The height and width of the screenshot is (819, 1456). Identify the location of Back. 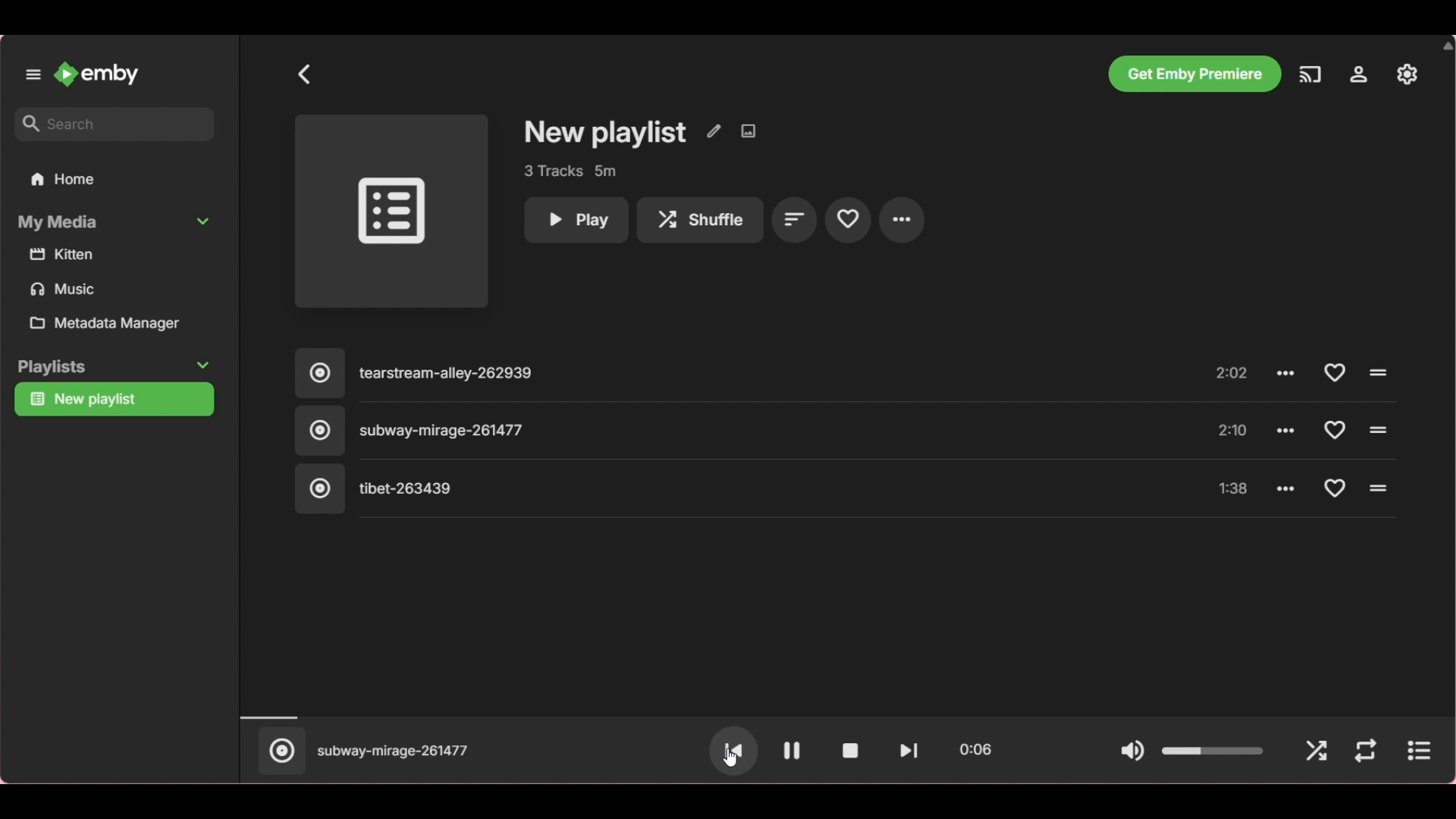
(305, 74).